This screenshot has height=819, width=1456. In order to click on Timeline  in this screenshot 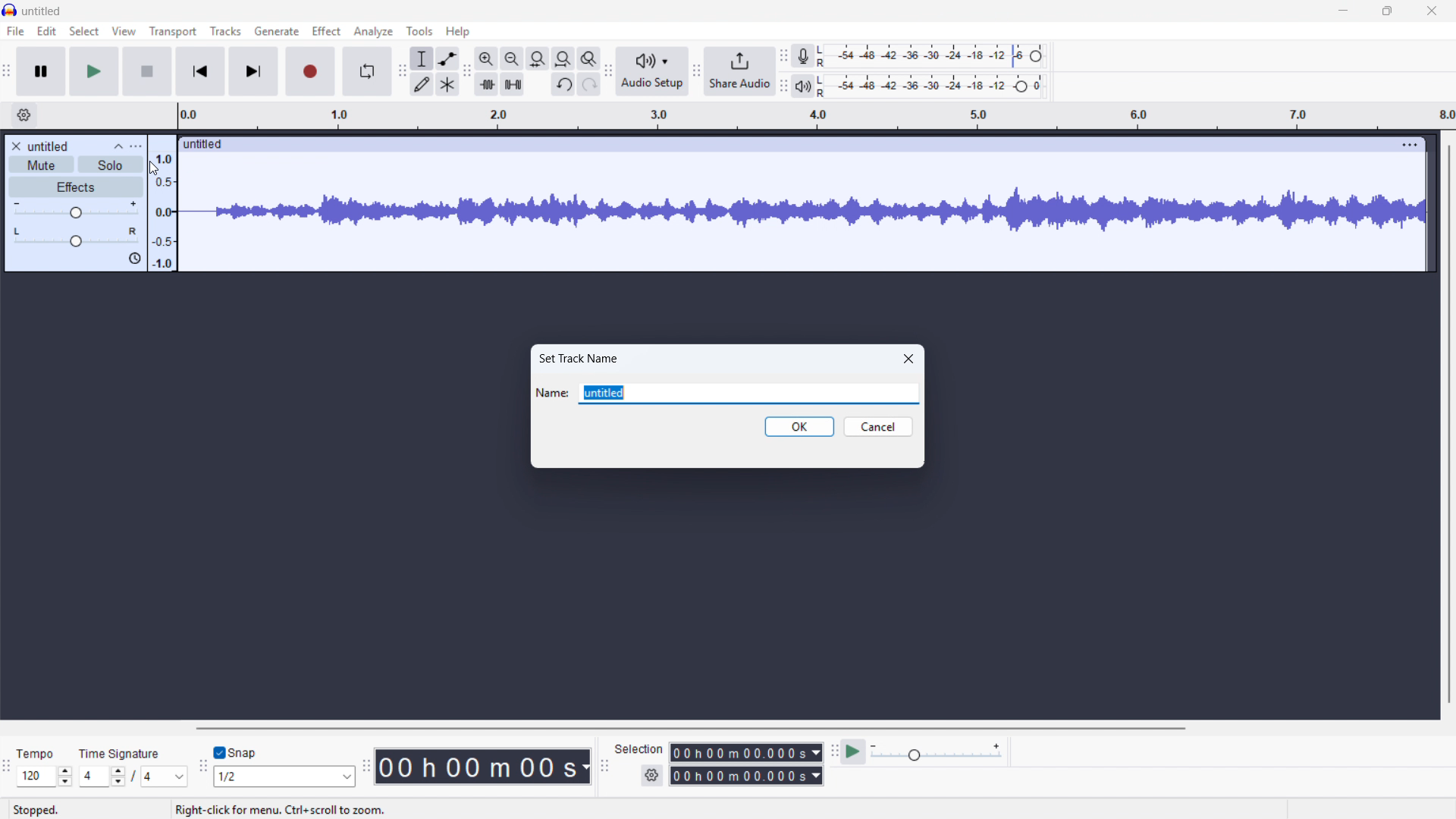, I will do `click(810, 115)`.